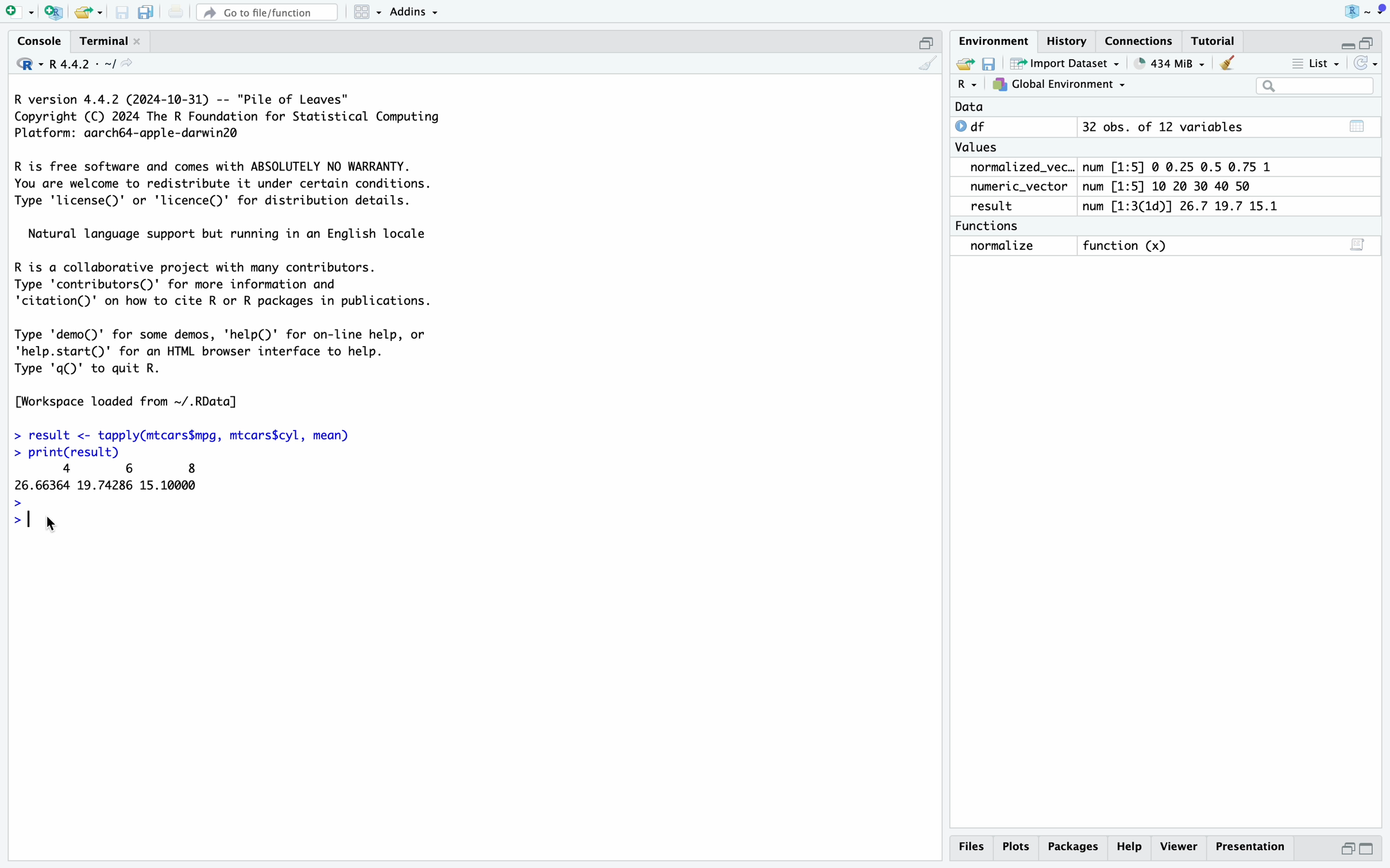 The width and height of the screenshot is (1390, 868). What do you see at coordinates (1018, 185) in the screenshot?
I see `numeric_vector` at bounding box center [1018, 185].